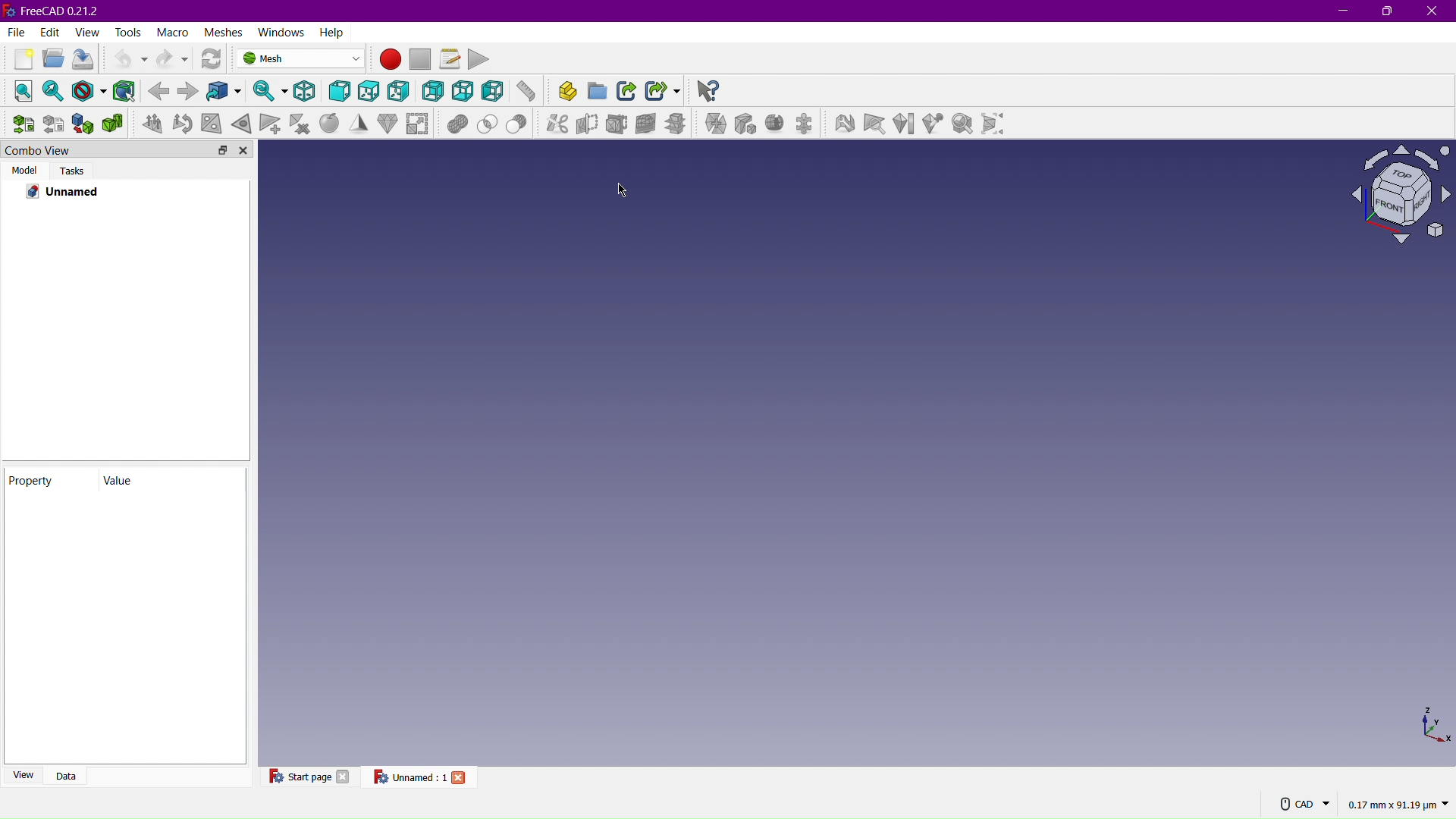 This screenshot has width=1456, height=819. What do you see at coordinates (26, 124) in the screenshot?
I see `Import mesh` at bounding box center [26, 124].